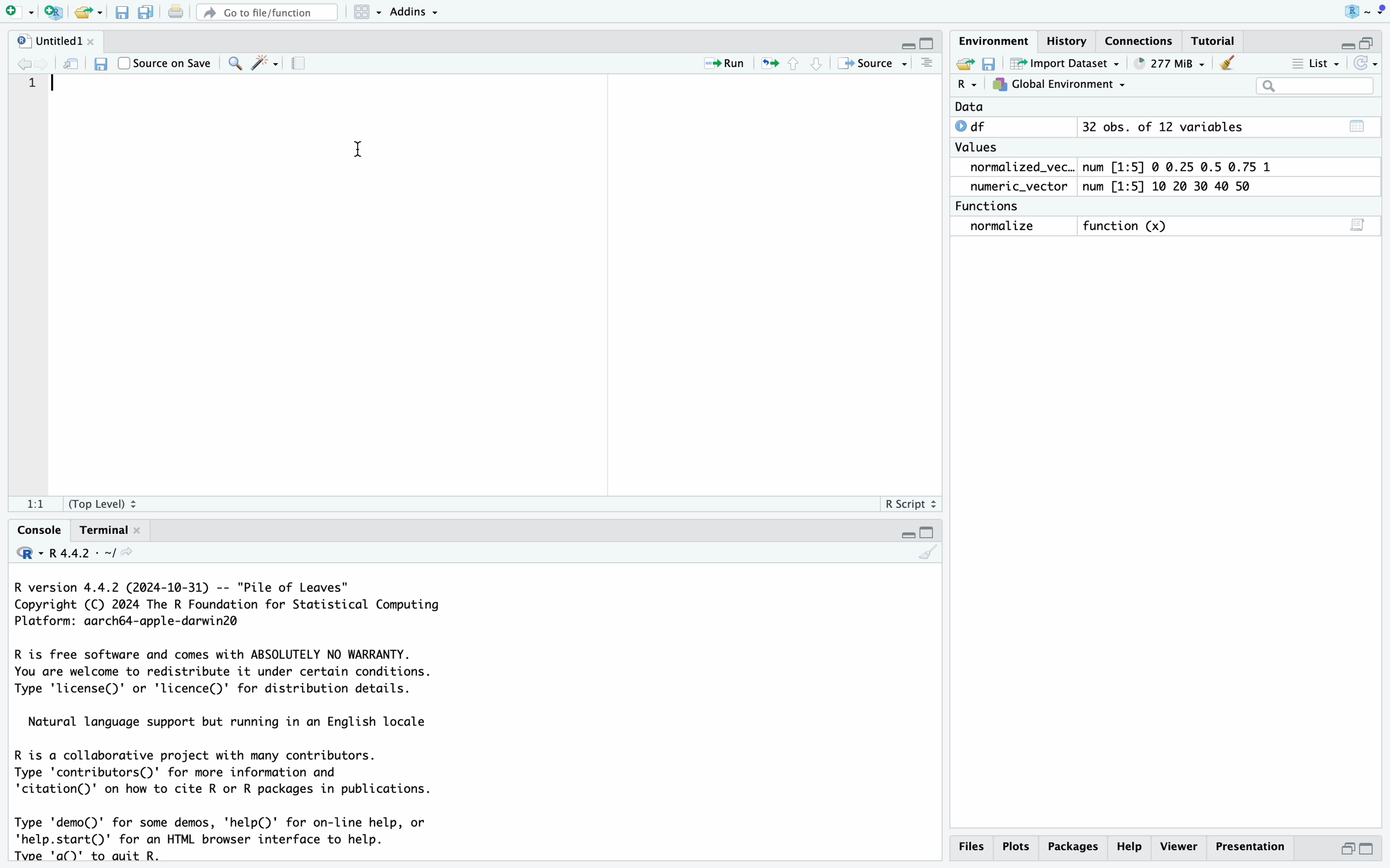 The height and width of the screenshot is (868, 1390). What do you see at coordinates (411, 12) in the screenshot?
I see `Addins` at bounding box center [411, 12].